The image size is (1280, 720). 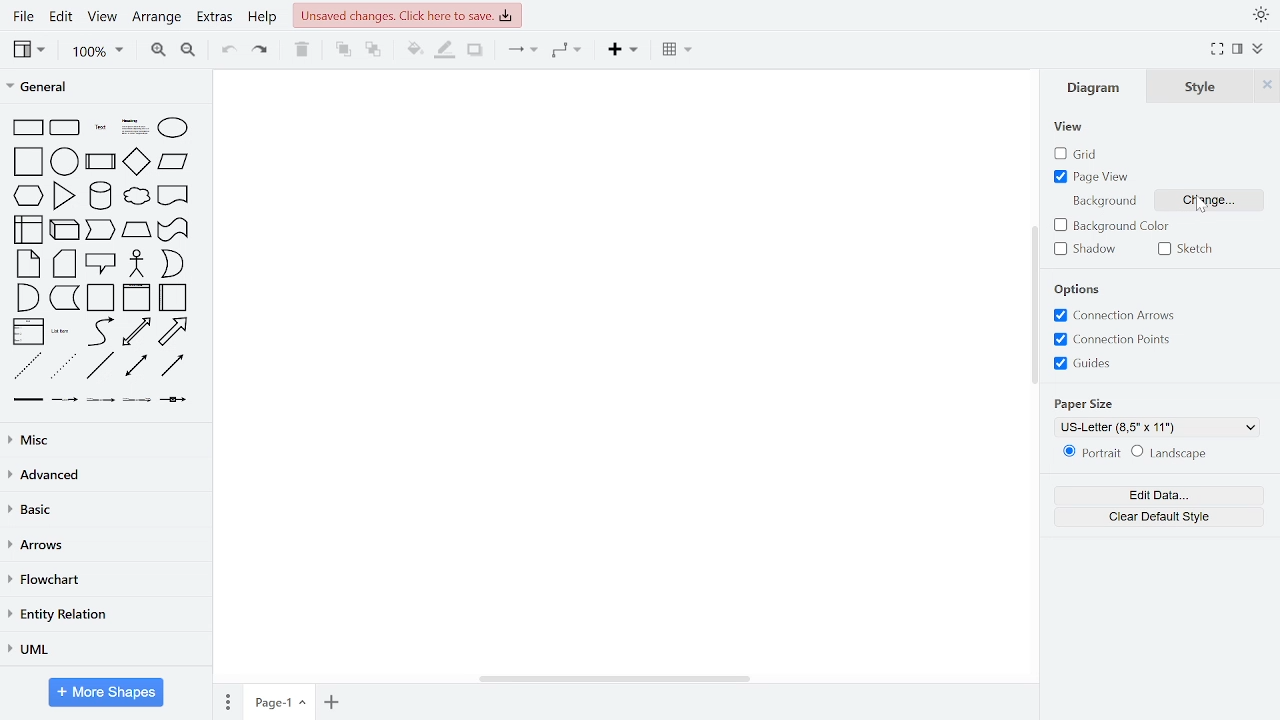 I want to click on view, so click(x=103, y=18).